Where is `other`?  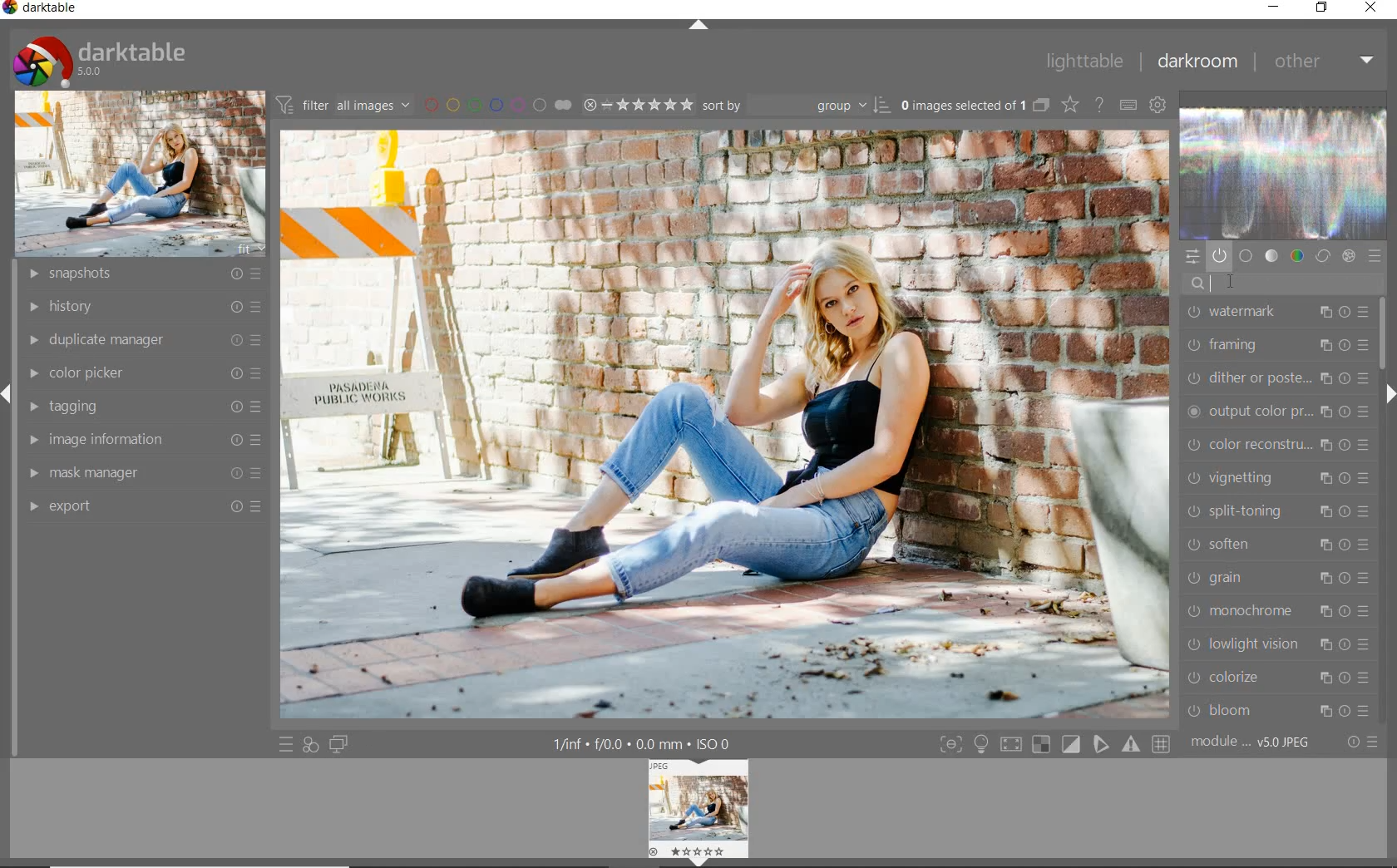
other is located at coordinates (1323, 62).